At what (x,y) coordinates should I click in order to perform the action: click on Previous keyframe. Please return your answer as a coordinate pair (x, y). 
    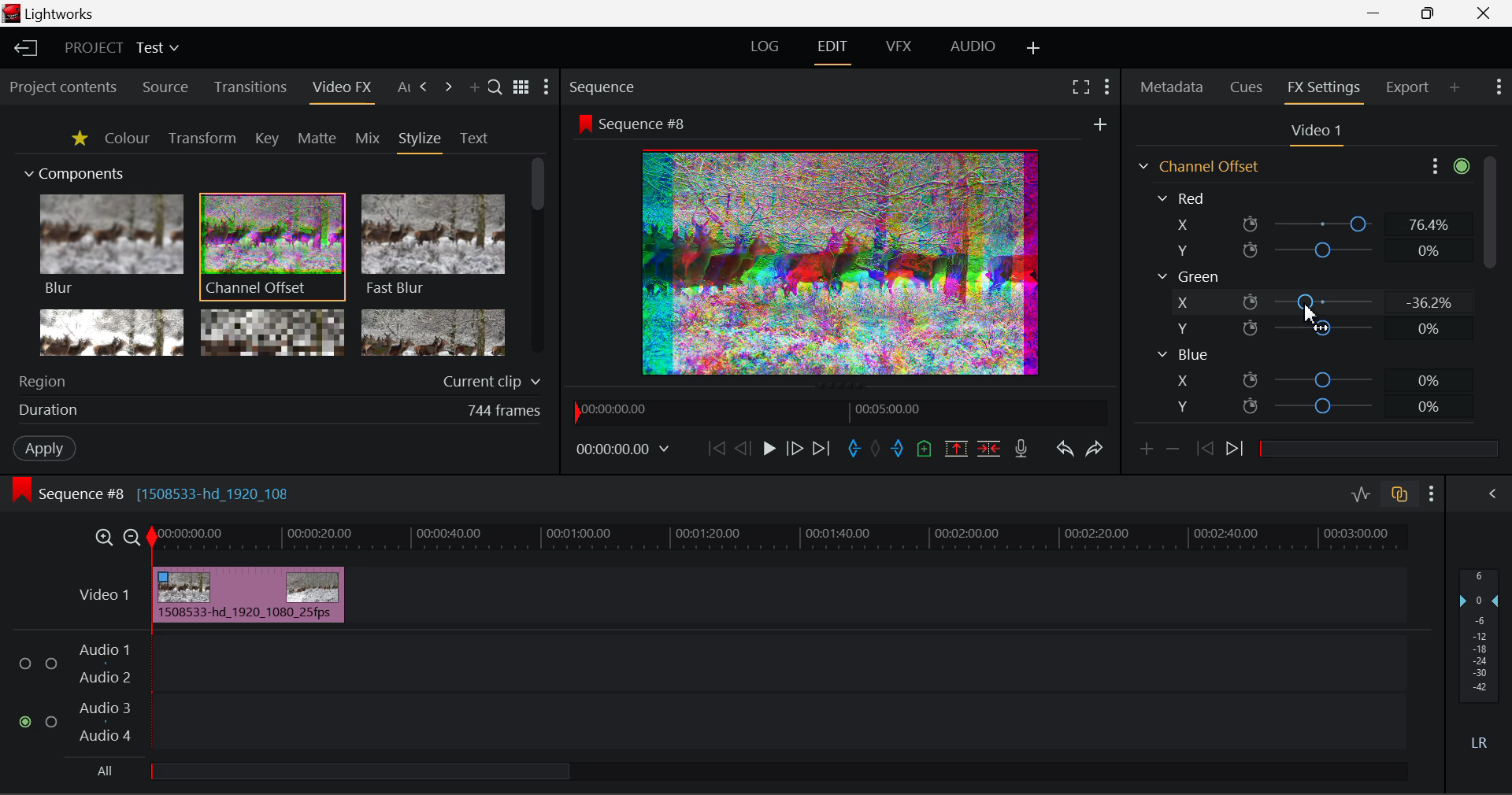
    Looking at the image, I should click on (1206, 449).